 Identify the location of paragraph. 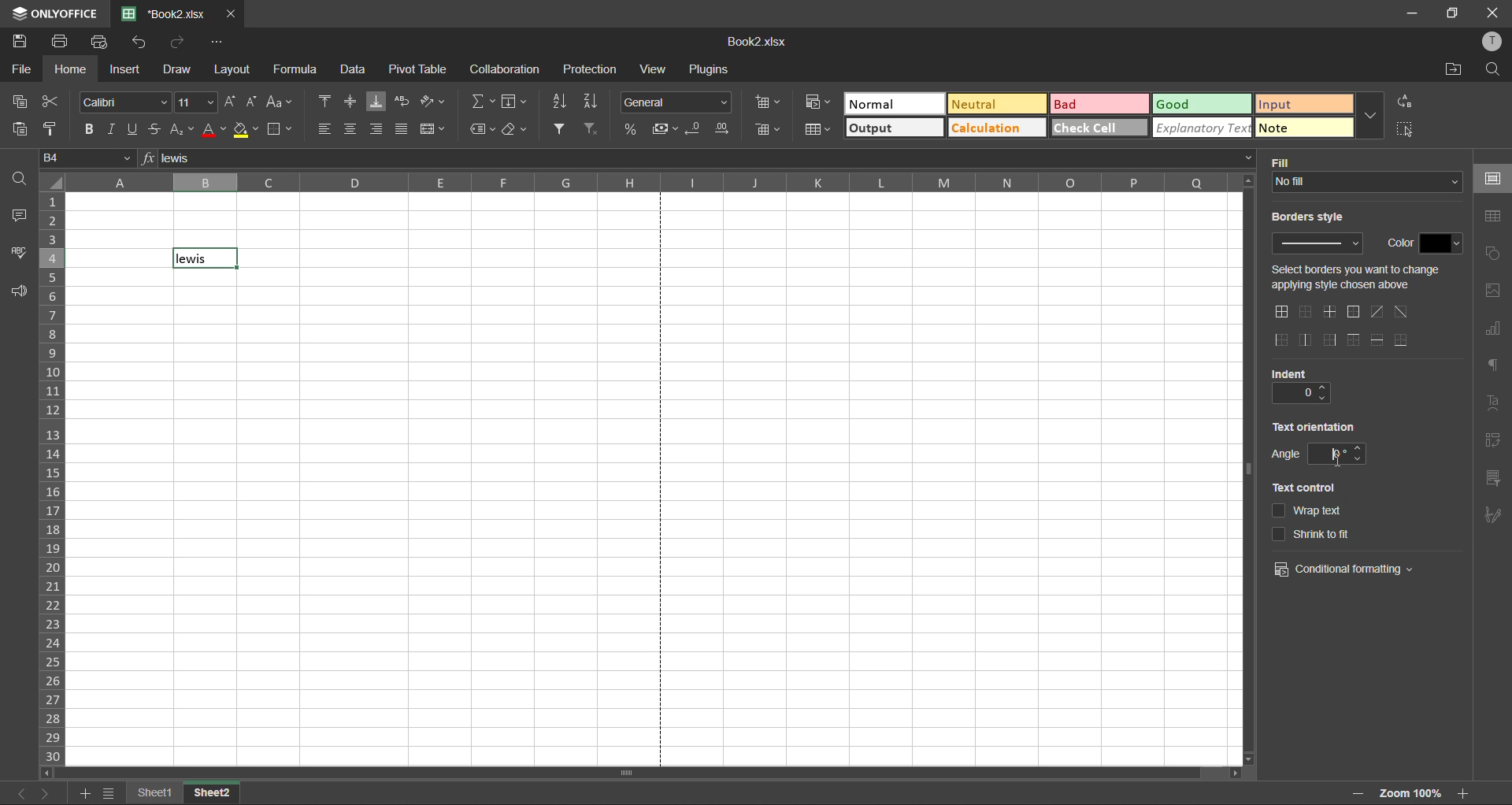
(1490, 365).